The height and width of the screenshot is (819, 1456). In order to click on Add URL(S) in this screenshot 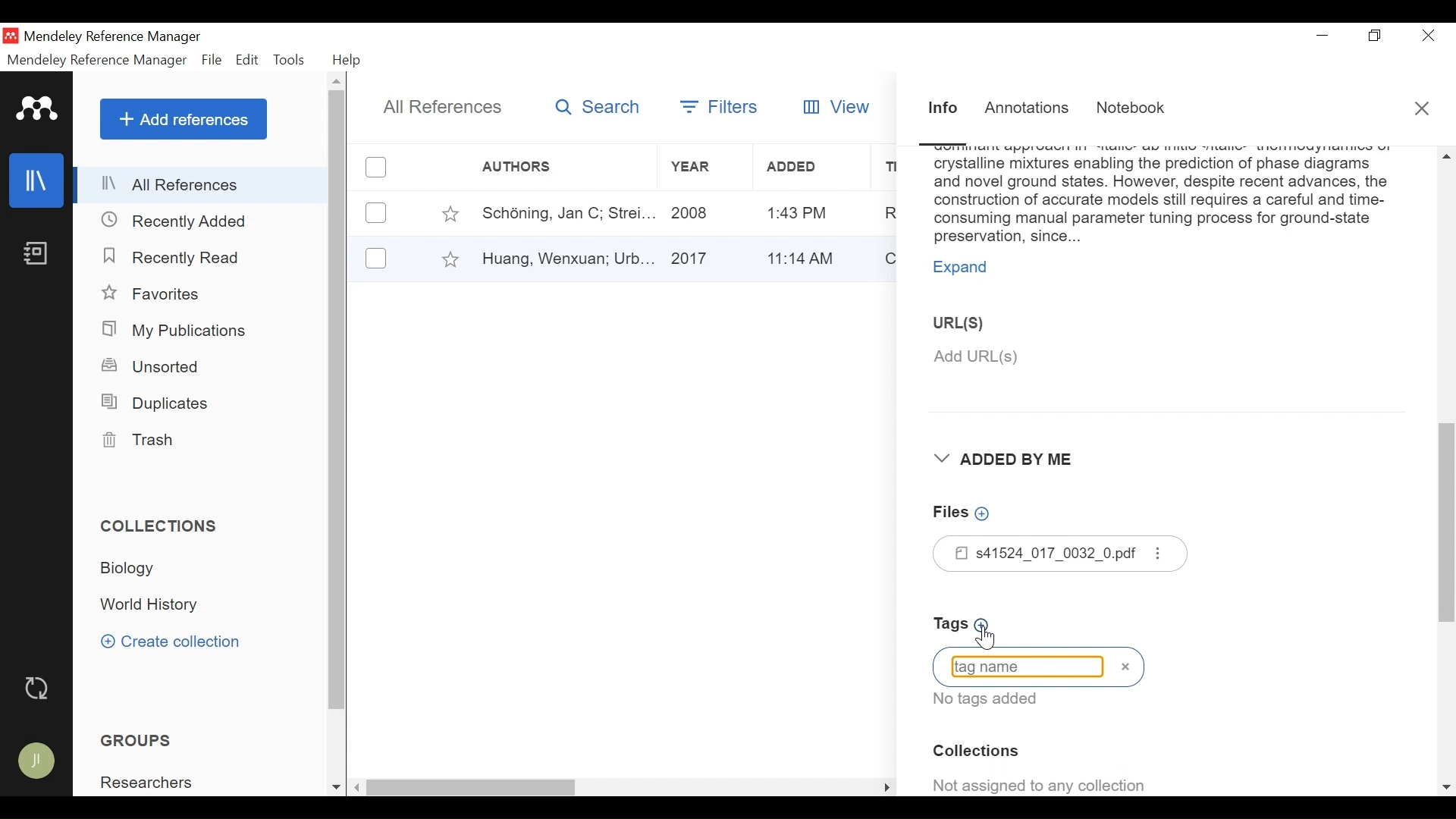, I will do `click(1064, 357)`.